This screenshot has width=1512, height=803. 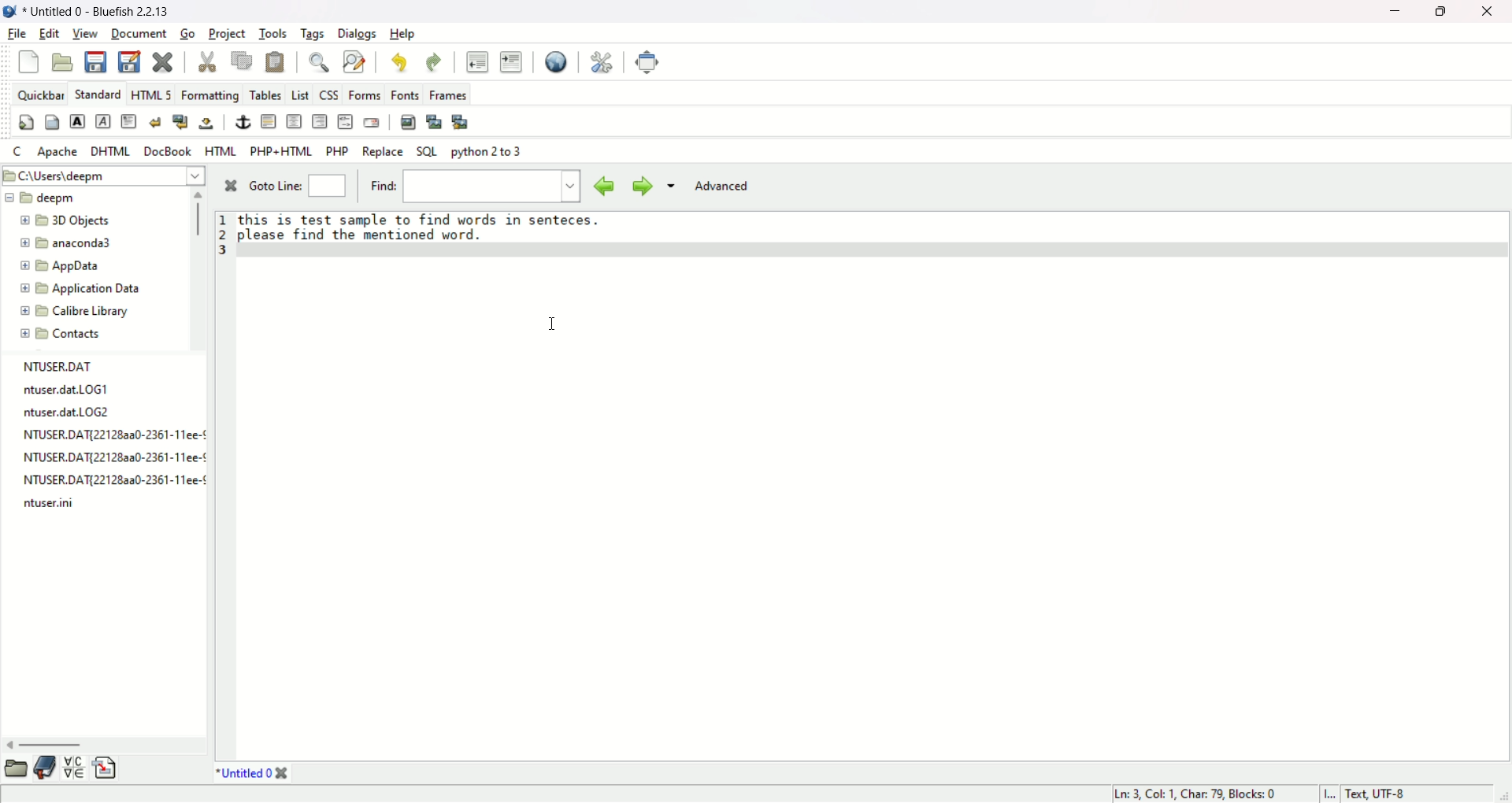 What do you see at coordinates (206, 123) in the screenshot?
I see `non-breaking space` at bounding box center [206, 123].